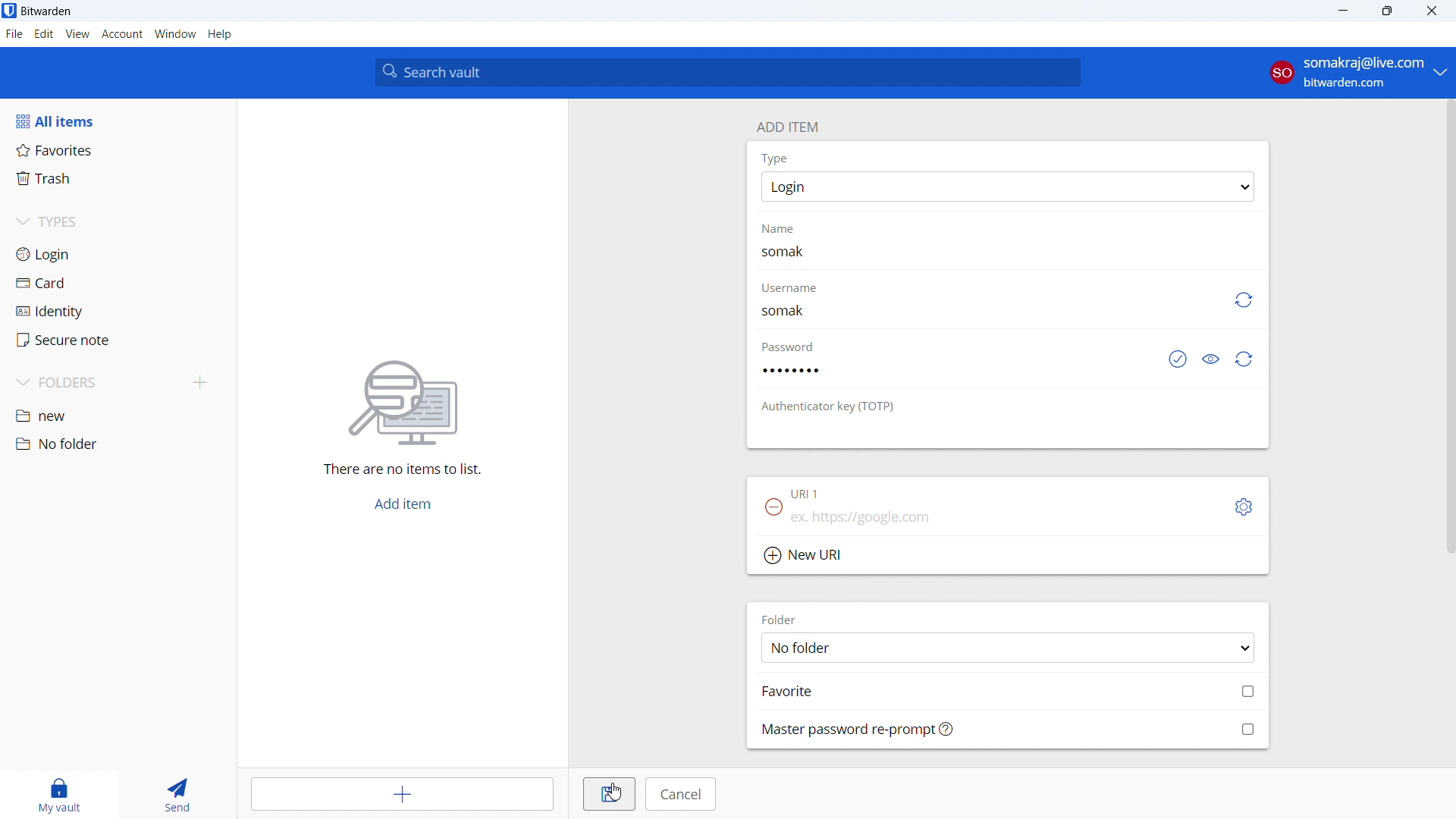 This screenshot has width=1456, height=819. Describe the element at coordinates (118, 121) in the screenshot. I see `all items` at that location.